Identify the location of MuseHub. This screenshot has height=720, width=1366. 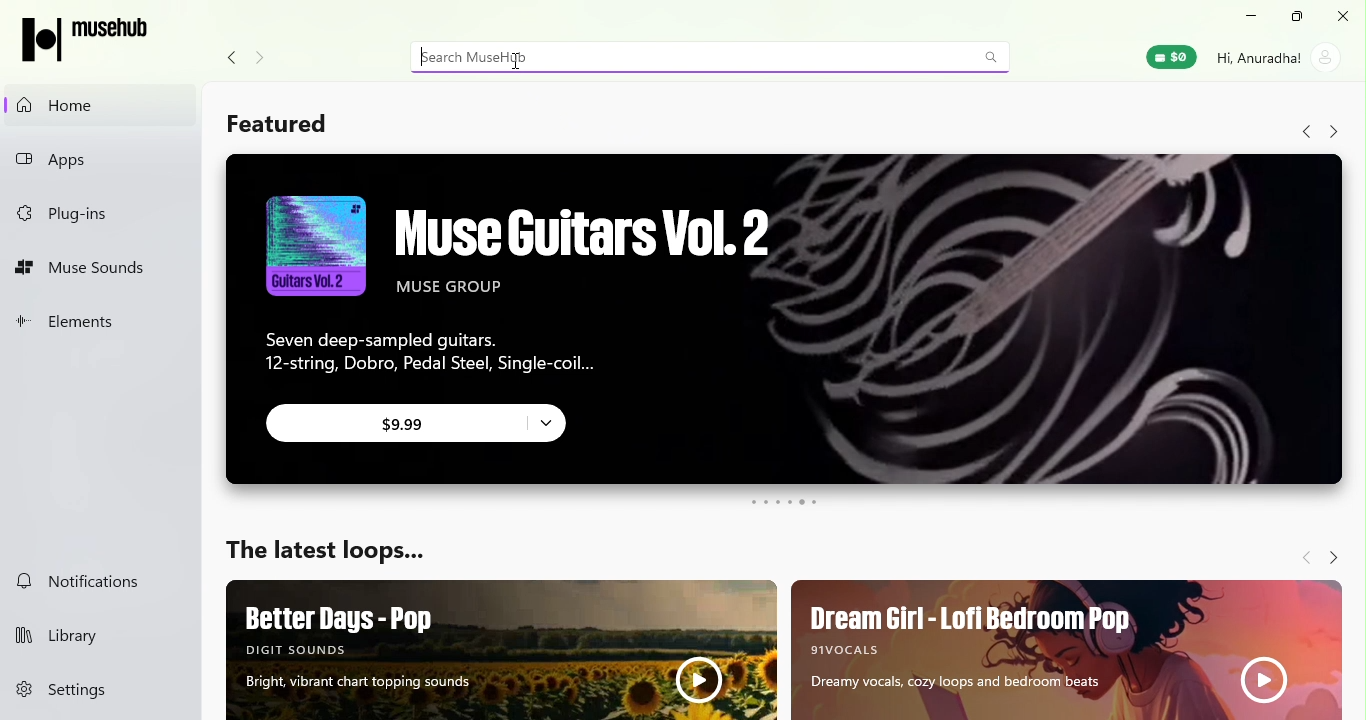
(93, 38).